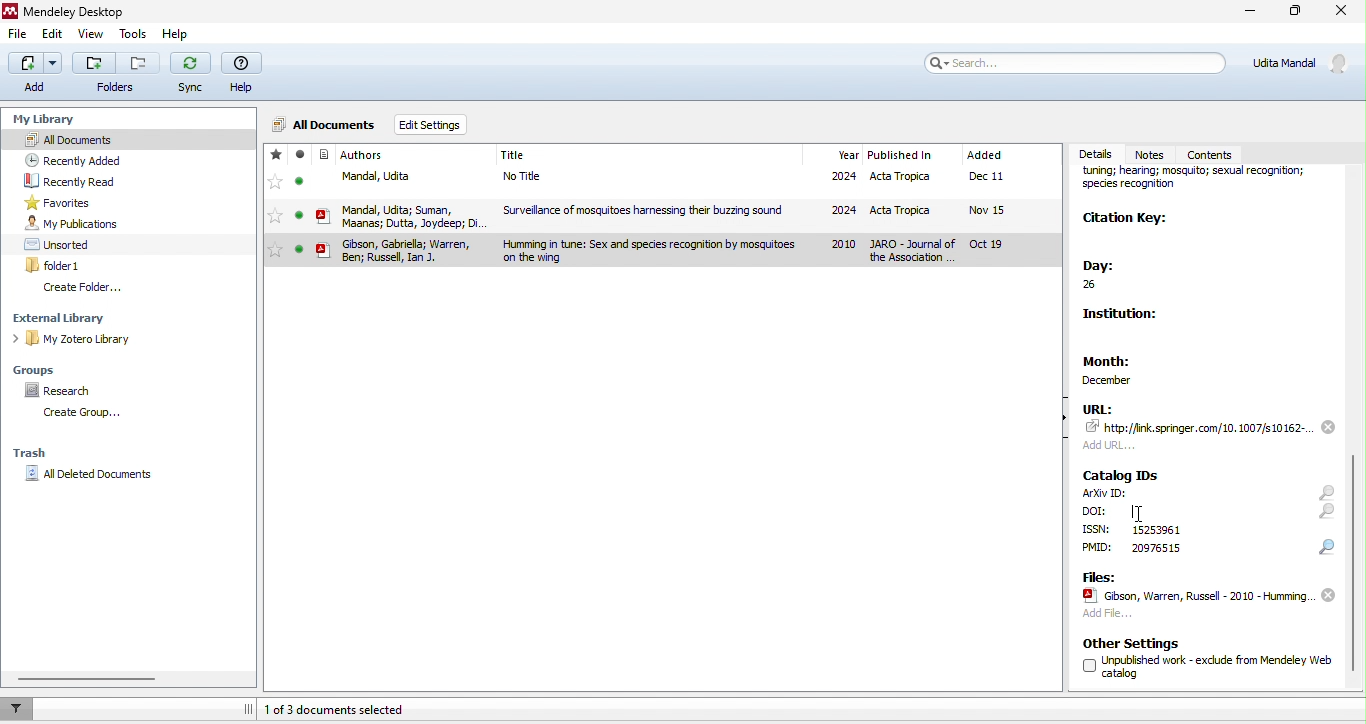 The height and width of the screenshot is (724, 1366). I want to click on text, so click(1097, 529).